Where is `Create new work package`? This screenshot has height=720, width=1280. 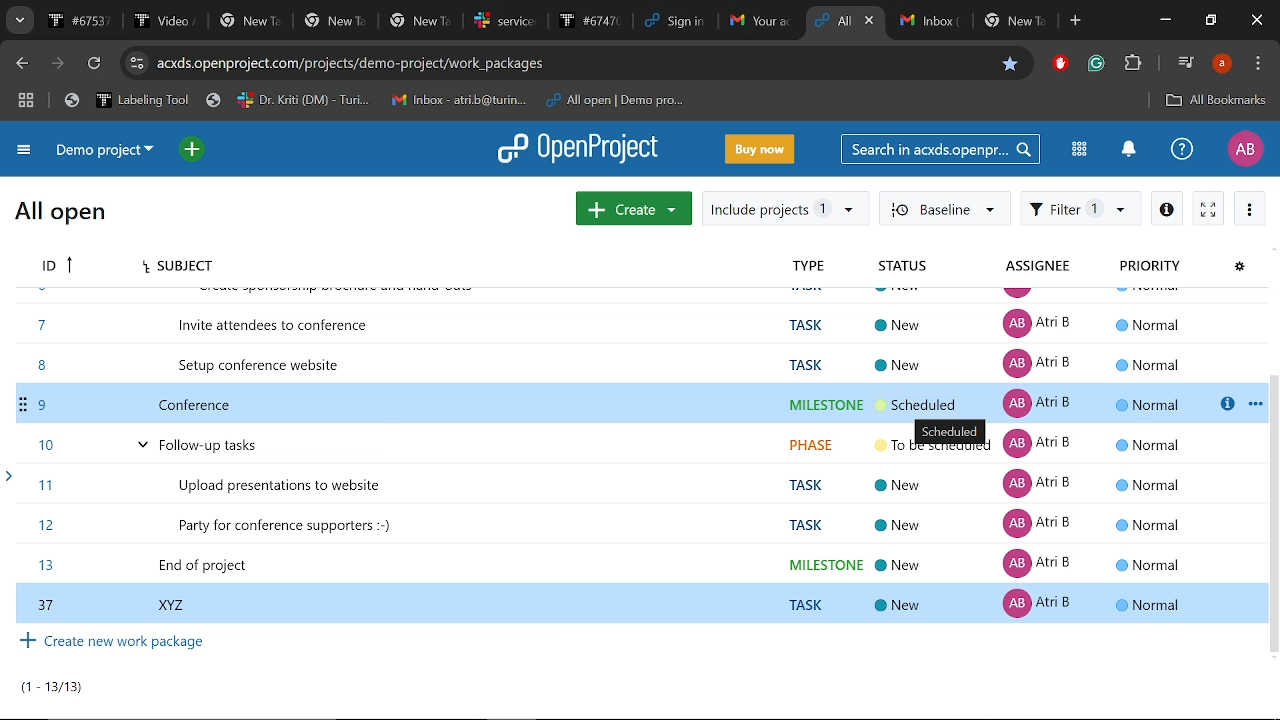
Create new work package is located at coordinates (113, 644).